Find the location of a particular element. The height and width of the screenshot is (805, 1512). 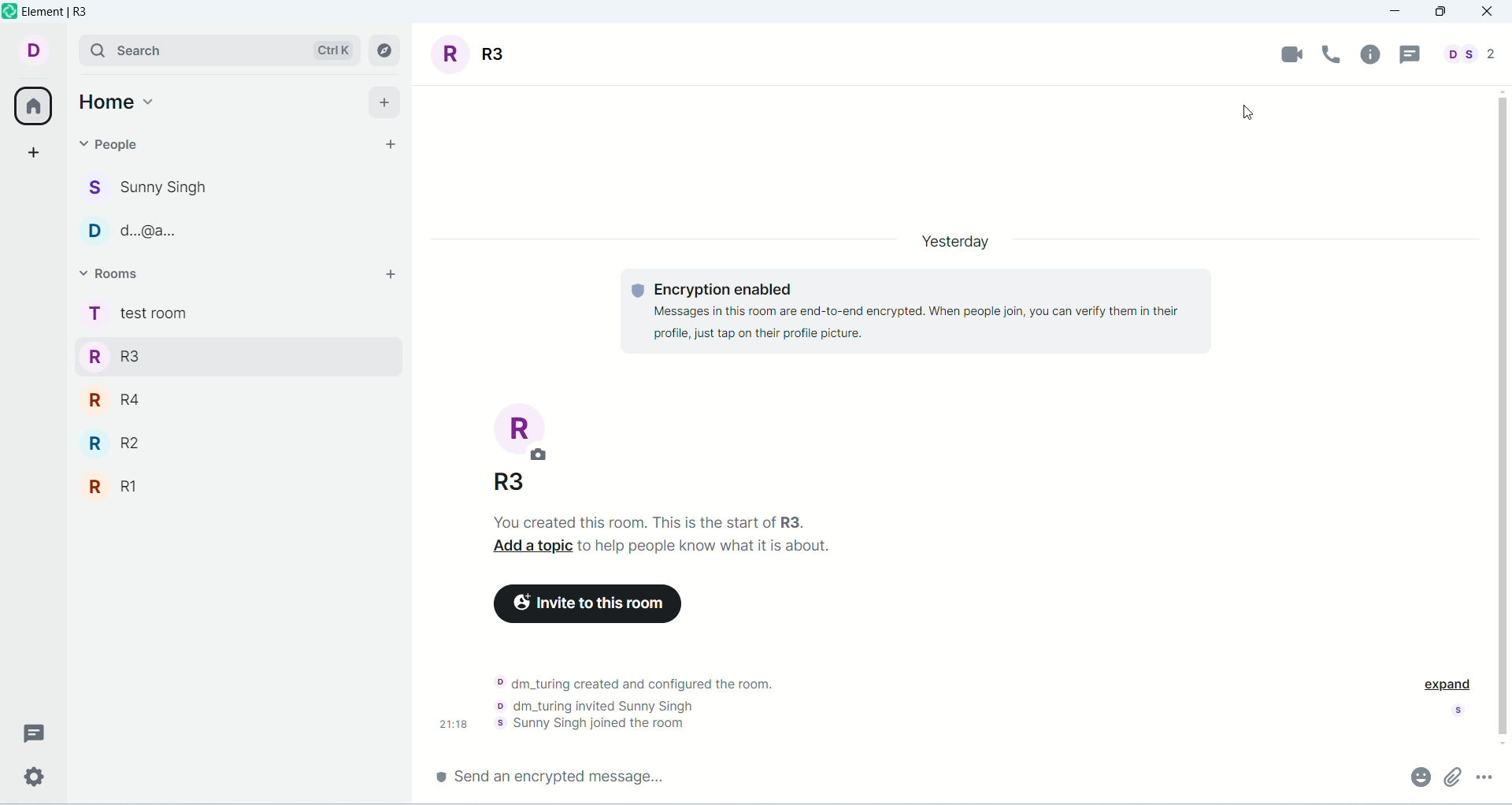

cursor is located at coordinates (1264, 113).